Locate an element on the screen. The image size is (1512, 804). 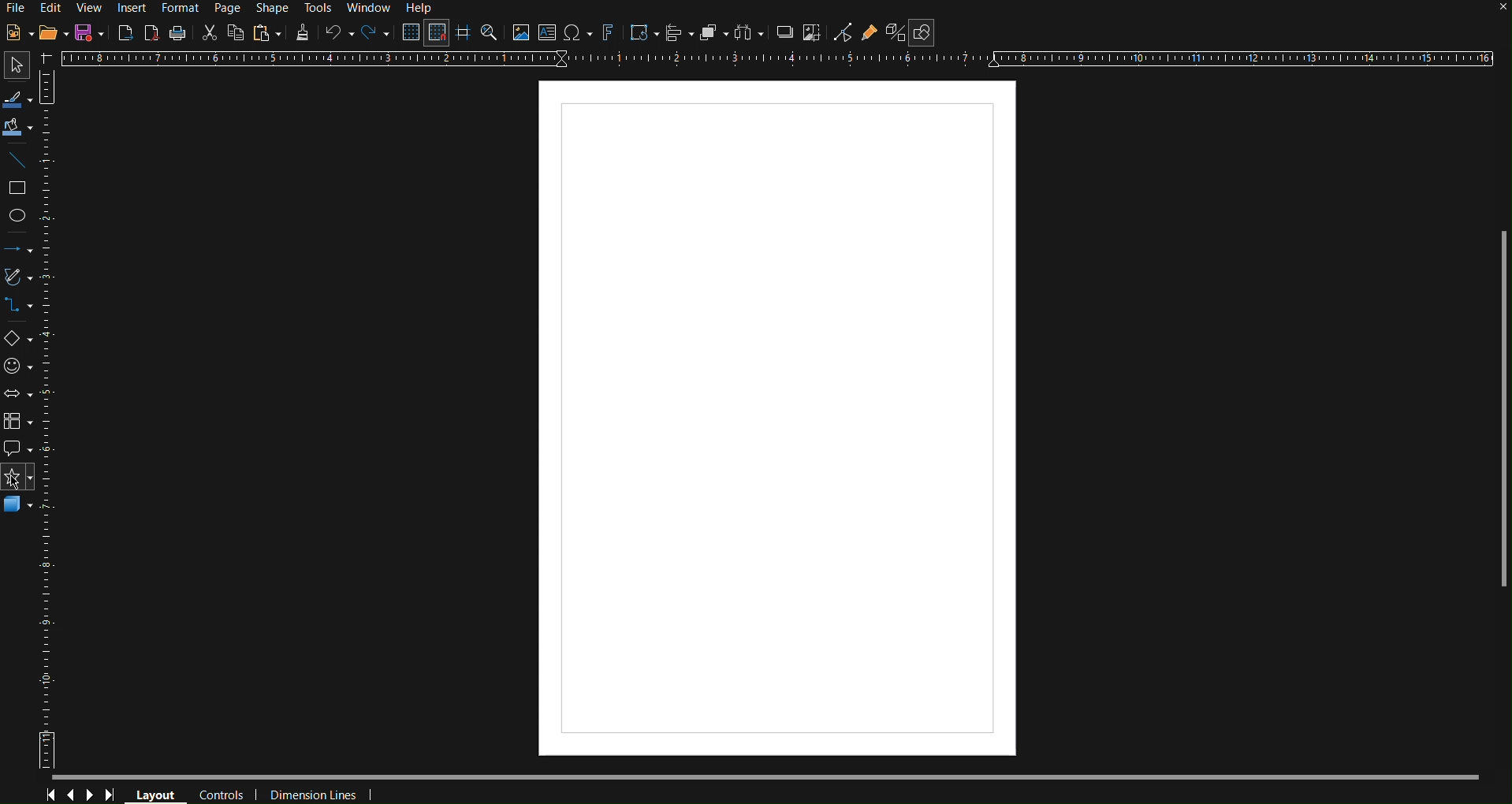
Horizontal Ruler is located at coordinates (777, 64).